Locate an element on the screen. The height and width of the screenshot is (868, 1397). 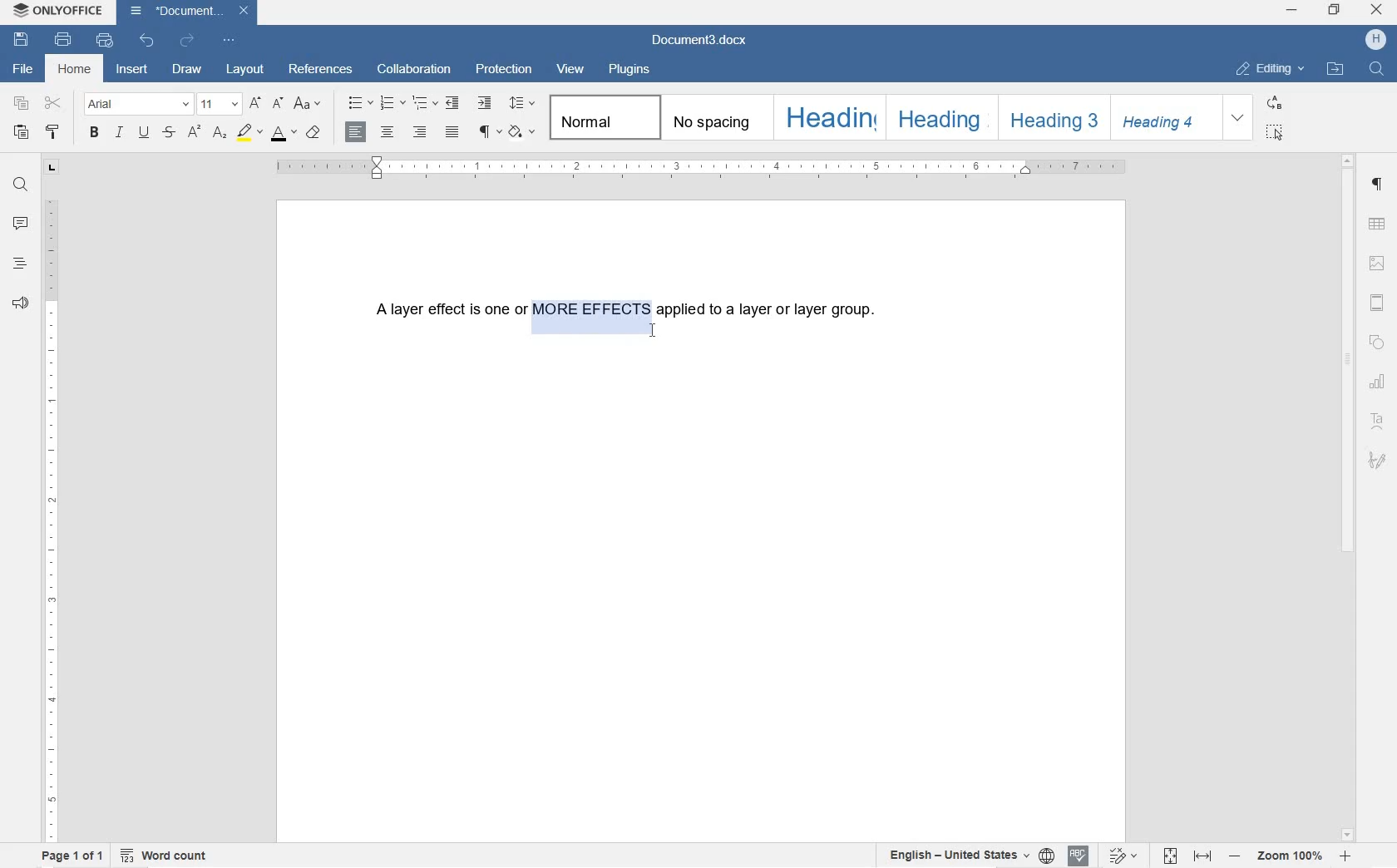
PLUGINS is located at coordinates (629, 71).